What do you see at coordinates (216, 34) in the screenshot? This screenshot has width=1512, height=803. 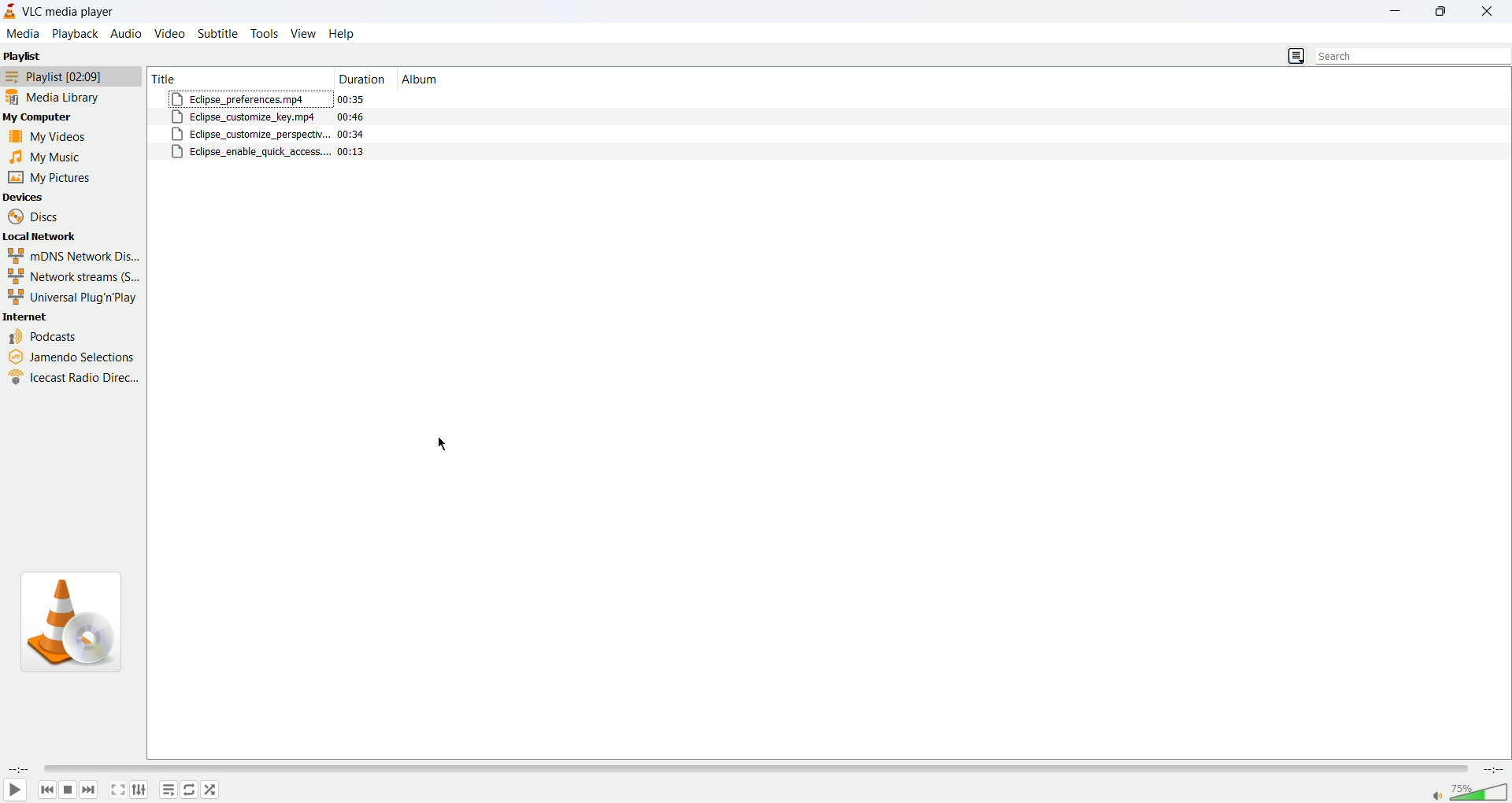 I see `subtitle` at bounding box center [216, 34].